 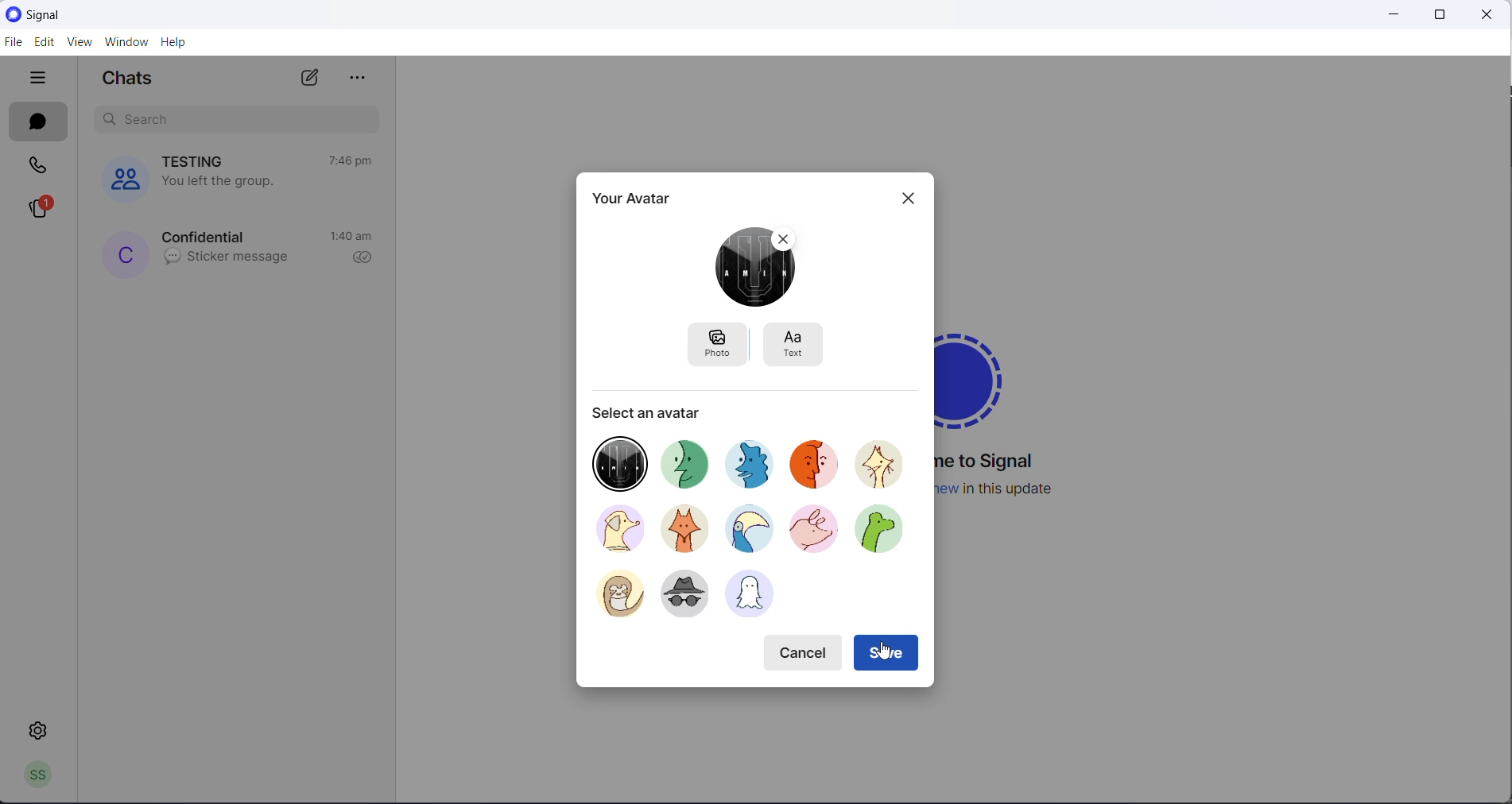 I want to click on avatar, so click(x=889, y=533).